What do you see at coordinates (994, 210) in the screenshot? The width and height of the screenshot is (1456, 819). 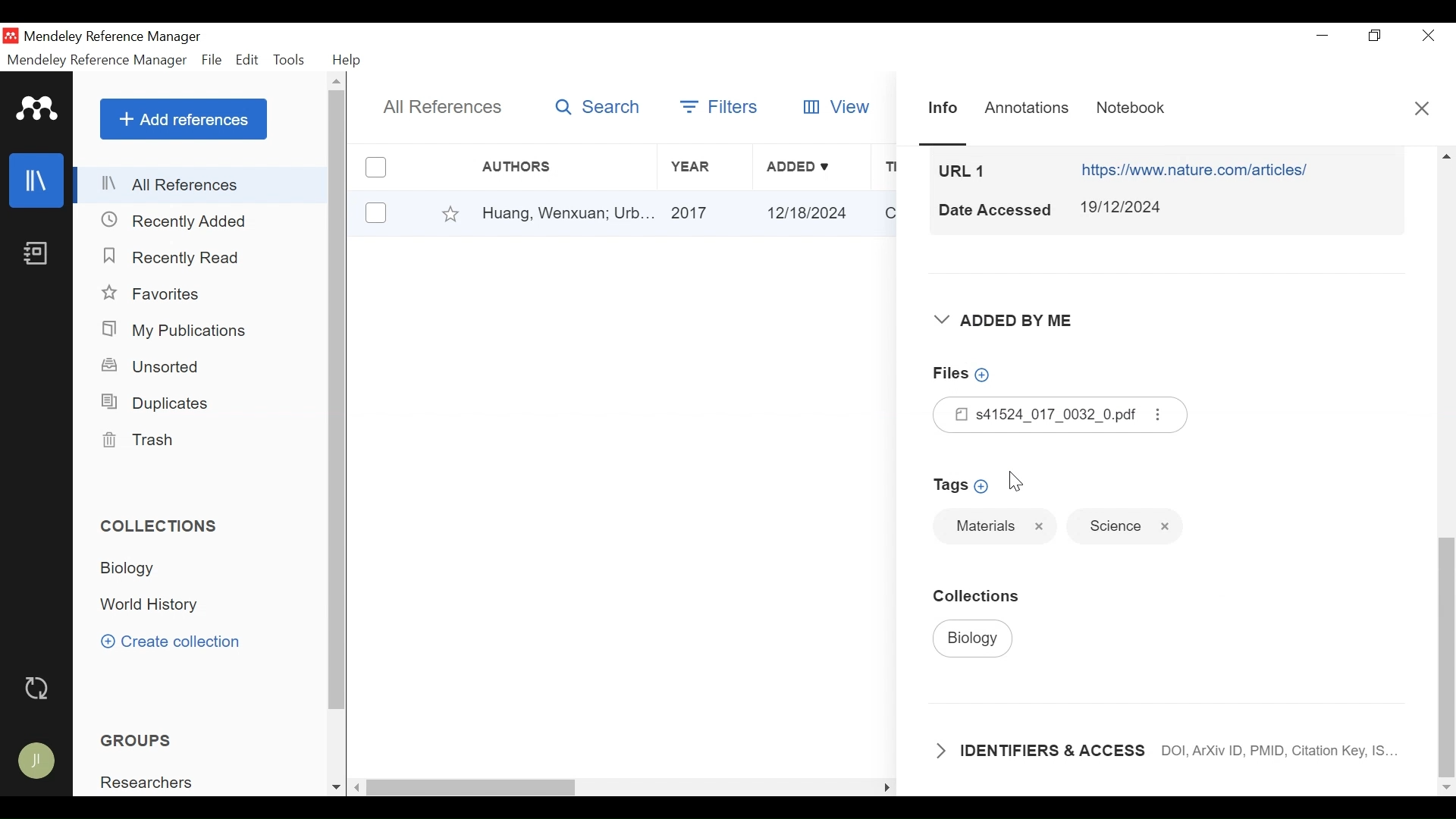 I see `Date Accessed` at bounding box center [994, 210].